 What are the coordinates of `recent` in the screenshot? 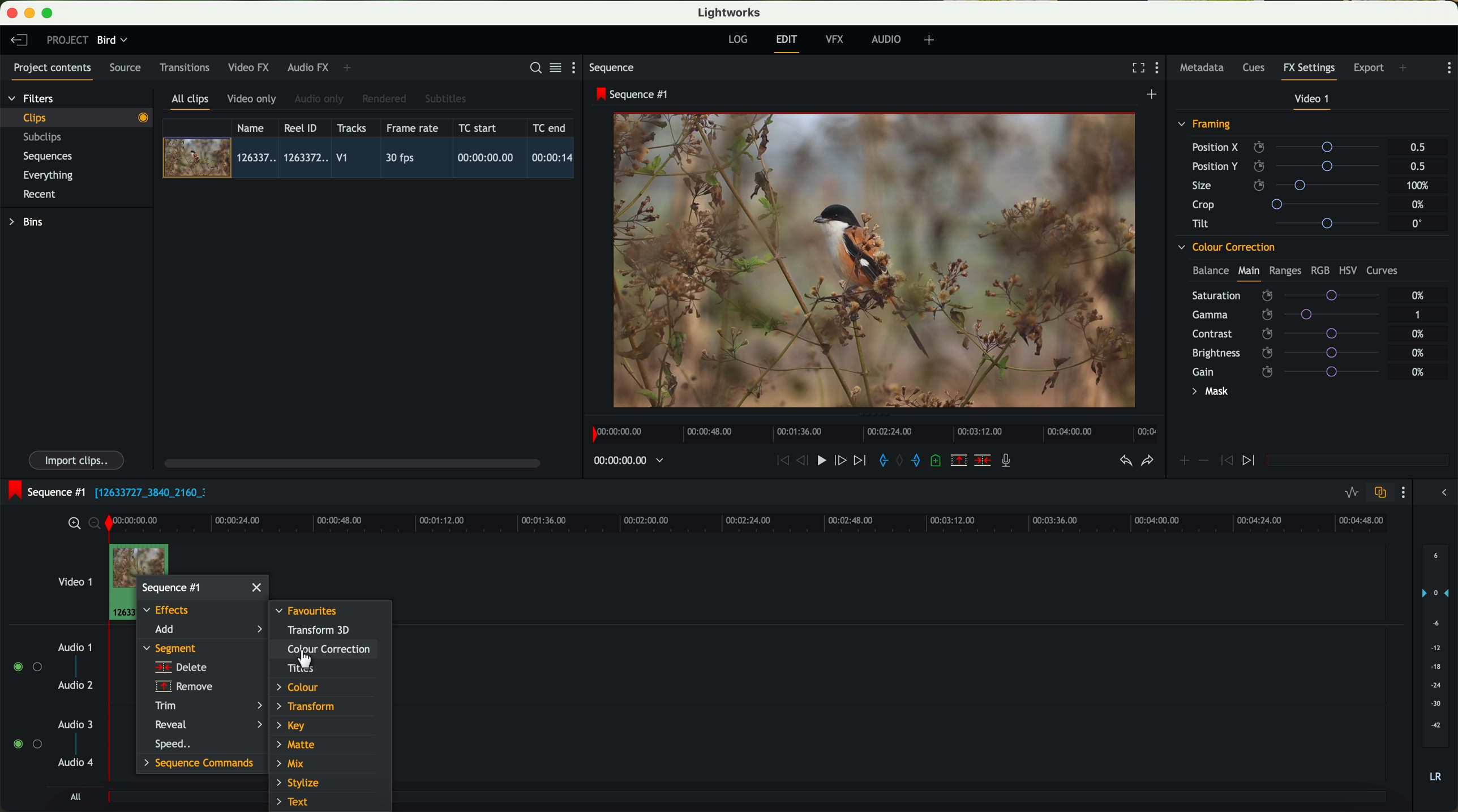 It's located at (40, 196).